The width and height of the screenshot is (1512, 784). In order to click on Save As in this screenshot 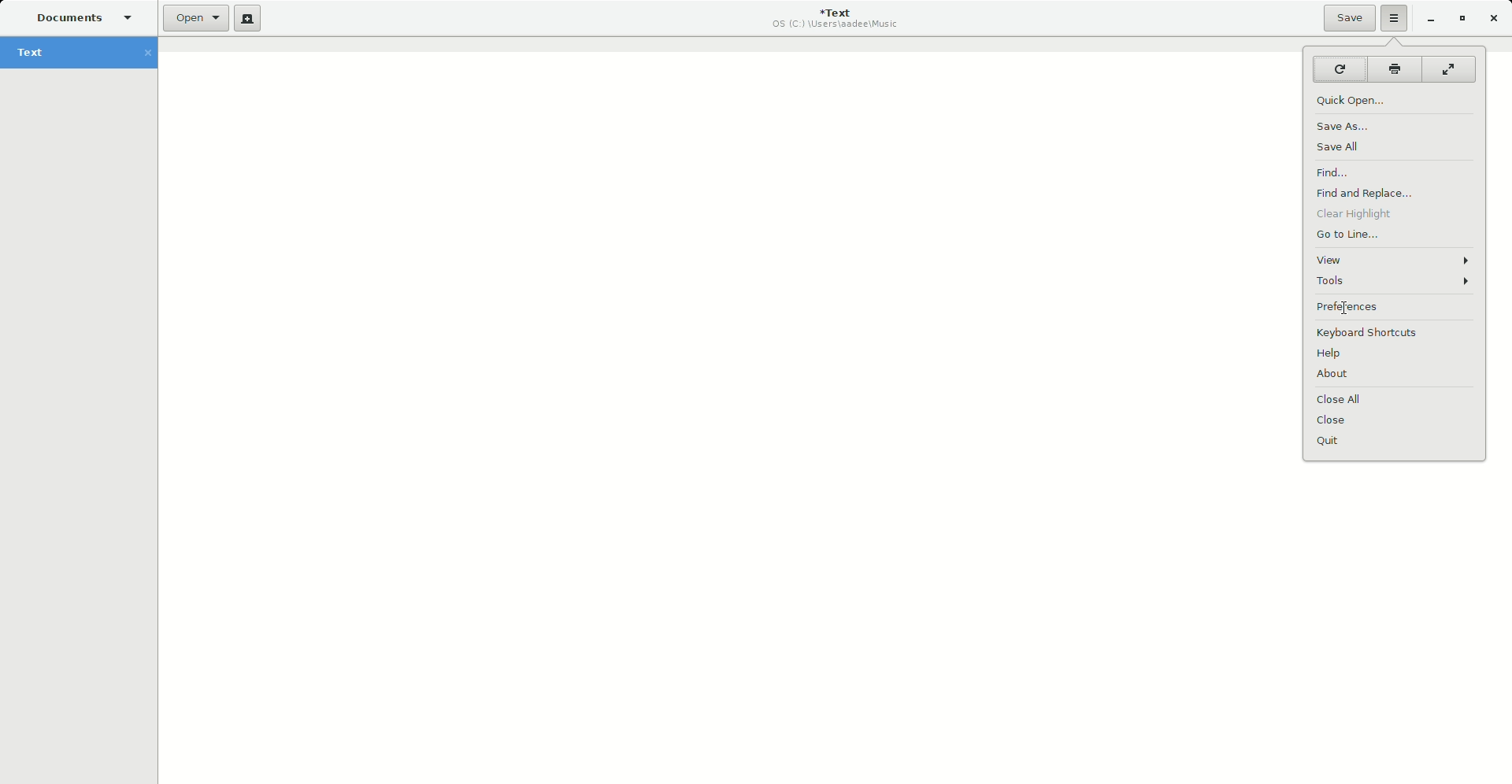, I will do `click(1346, 126)`.